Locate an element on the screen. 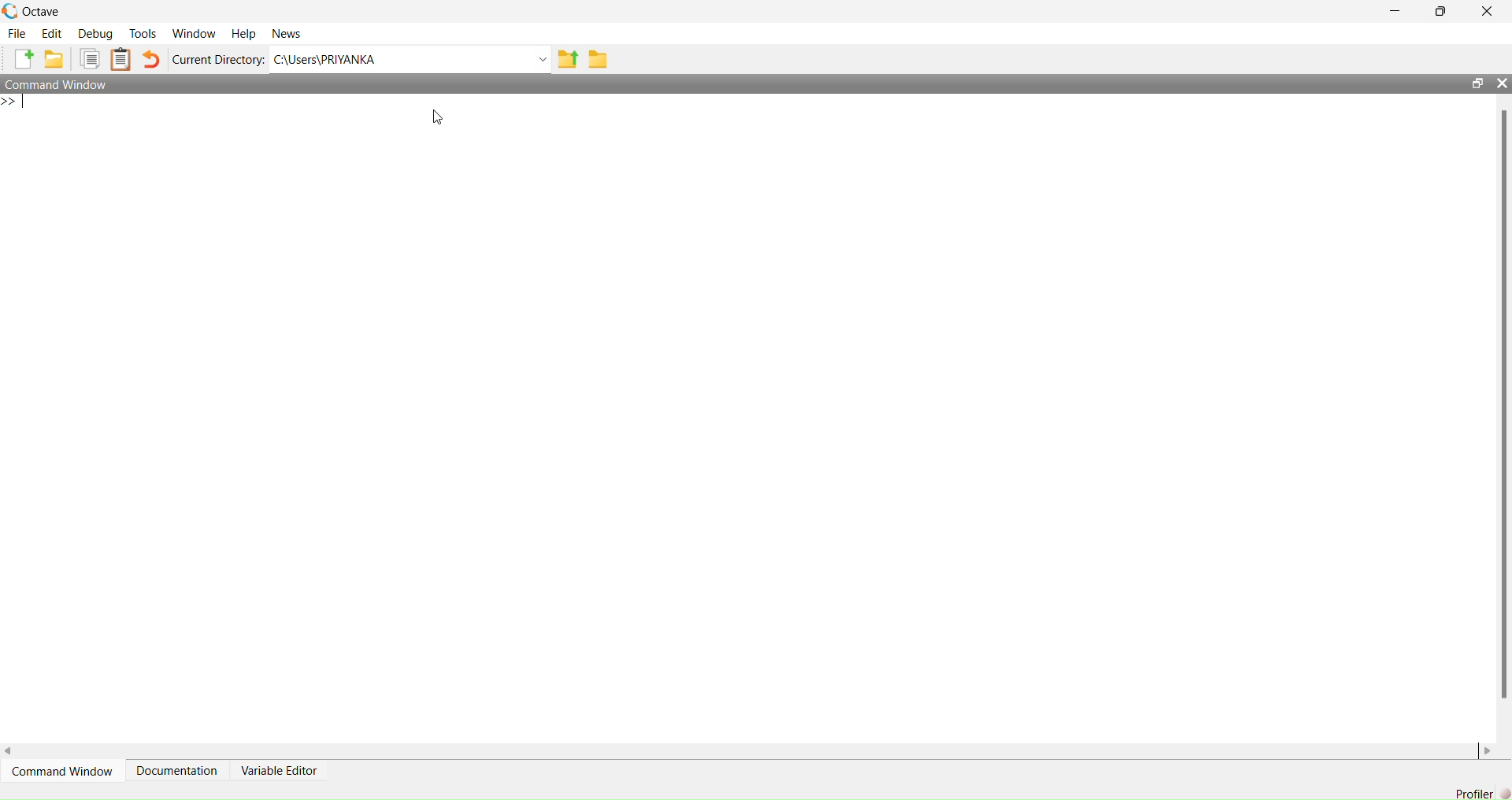 The image size is (1512, 800). add file is located at coordinates (24, 58).